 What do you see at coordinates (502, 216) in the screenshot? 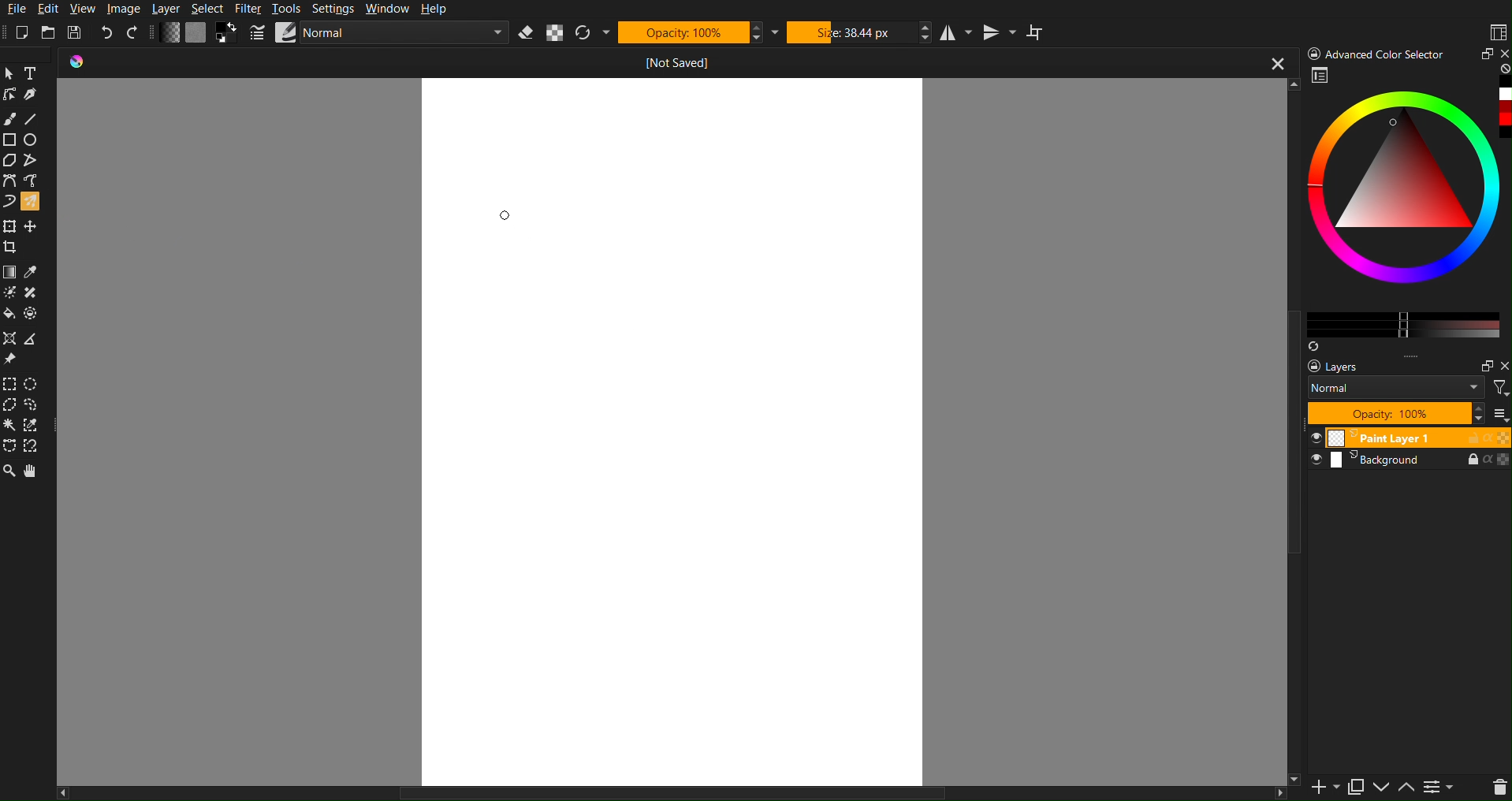
I see `Cursor` at bounding box center [502, 216].